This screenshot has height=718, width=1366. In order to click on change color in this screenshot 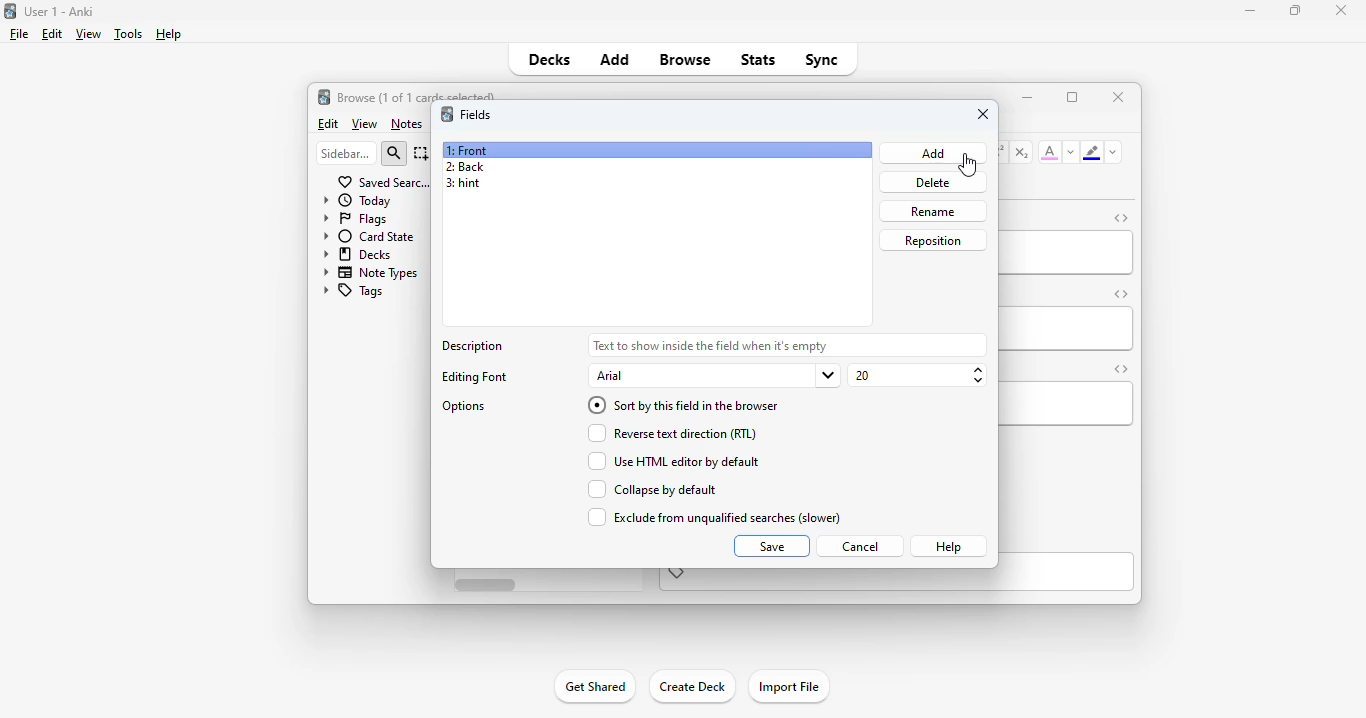, I will do `click(1071, 152)`.